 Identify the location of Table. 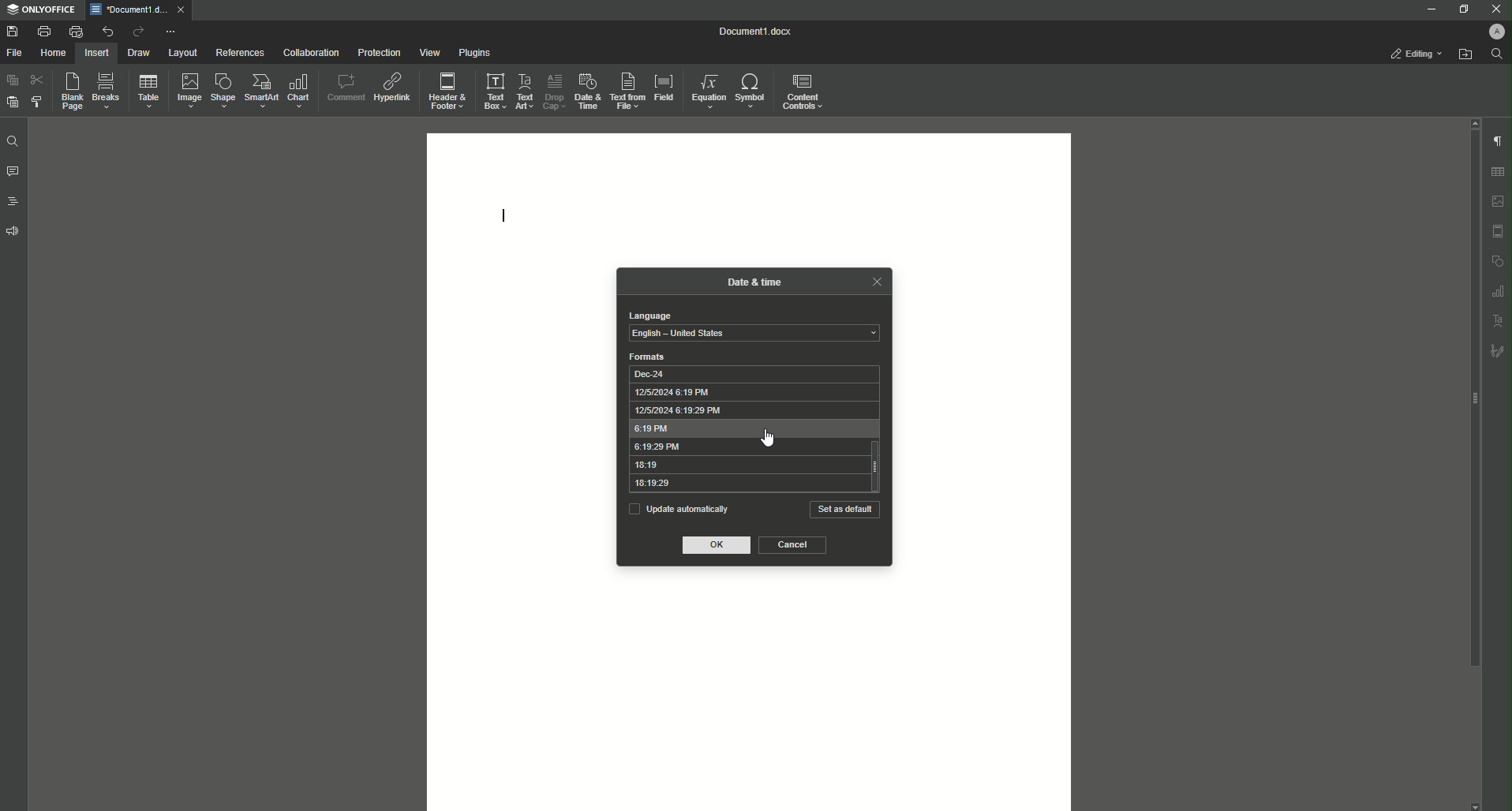
(145, 91).